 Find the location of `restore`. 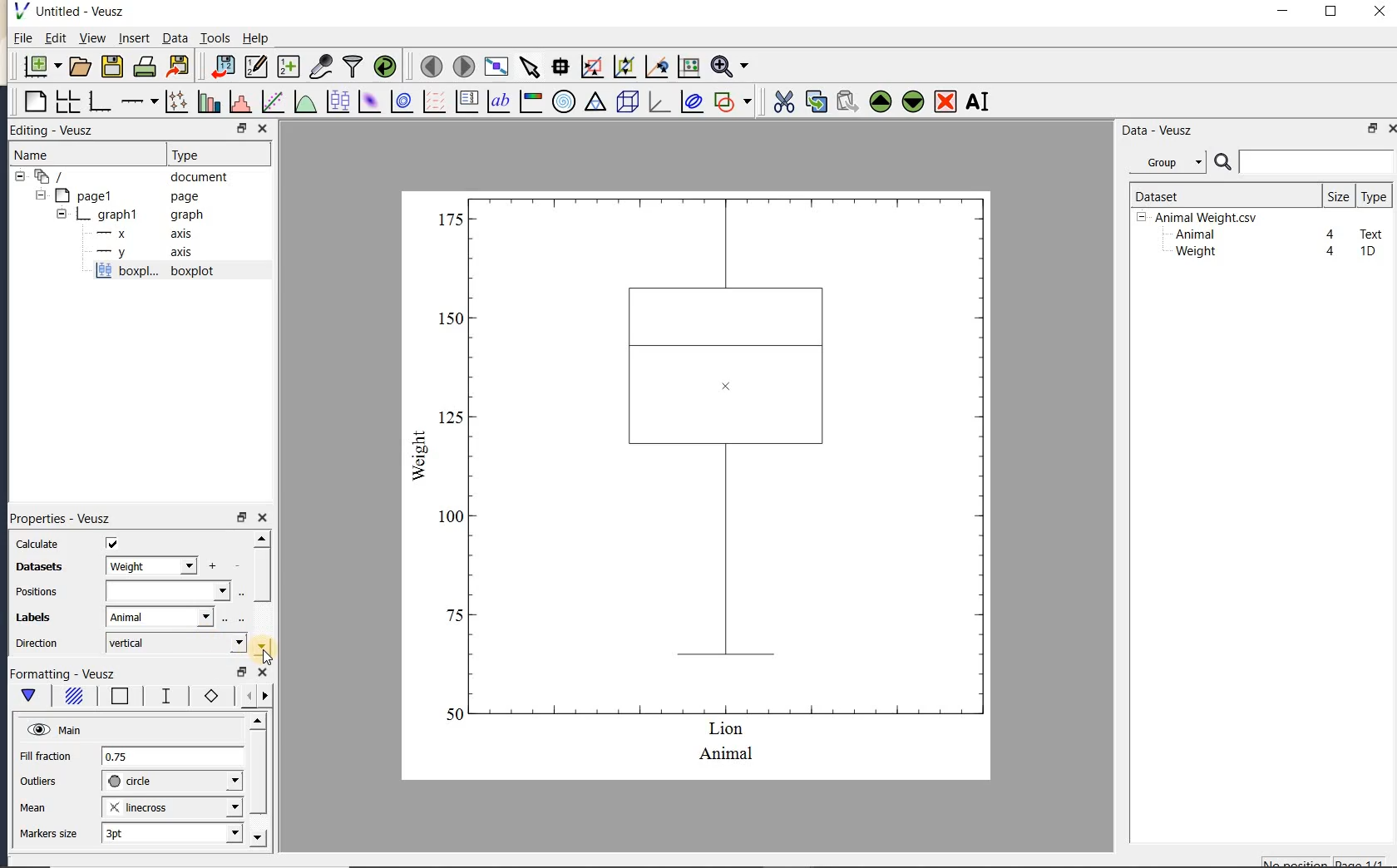

restore is located at coordinates (1374, 128).